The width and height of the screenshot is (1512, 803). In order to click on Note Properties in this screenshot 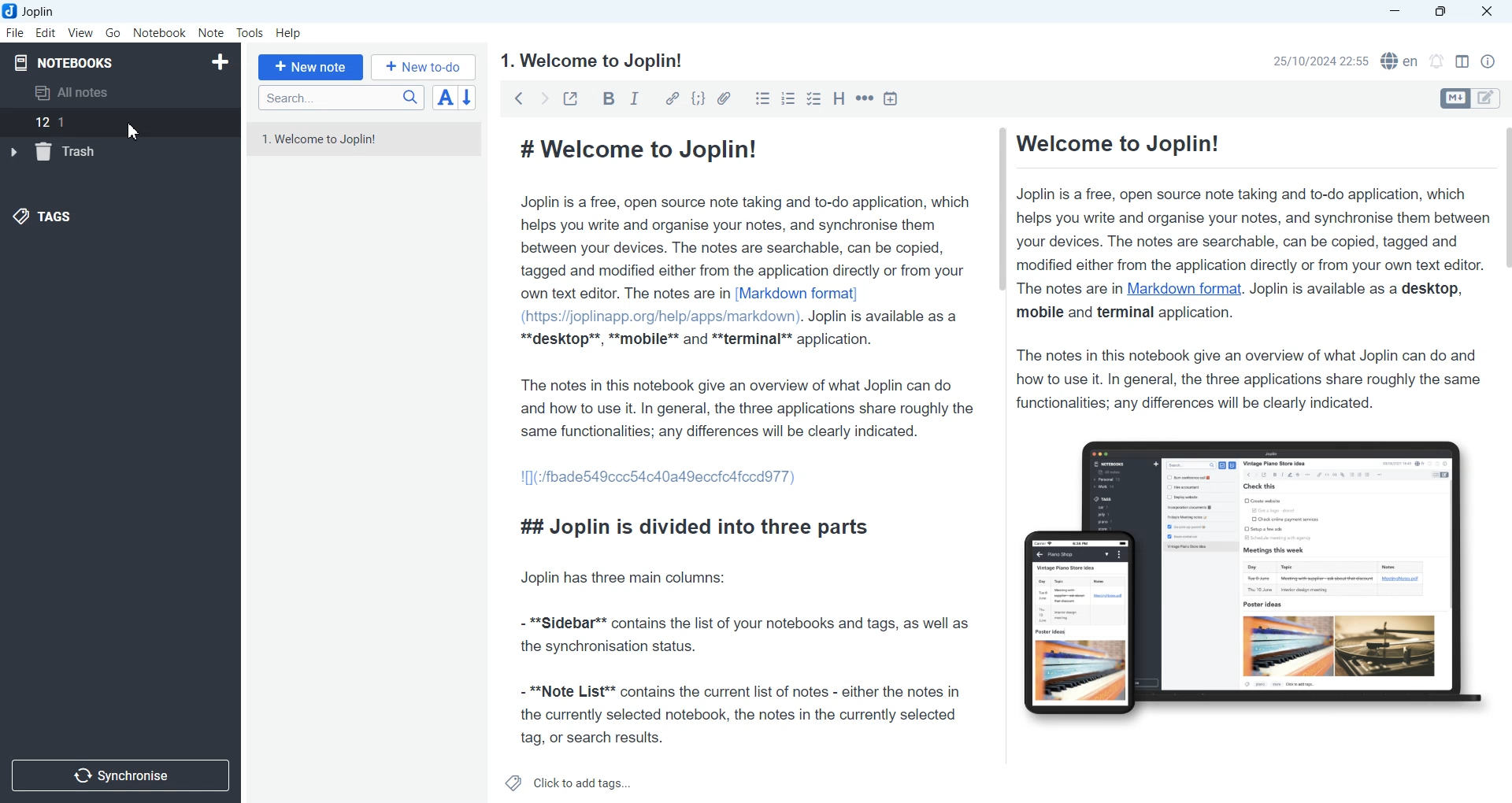, I will do `click(1488, 61)`.